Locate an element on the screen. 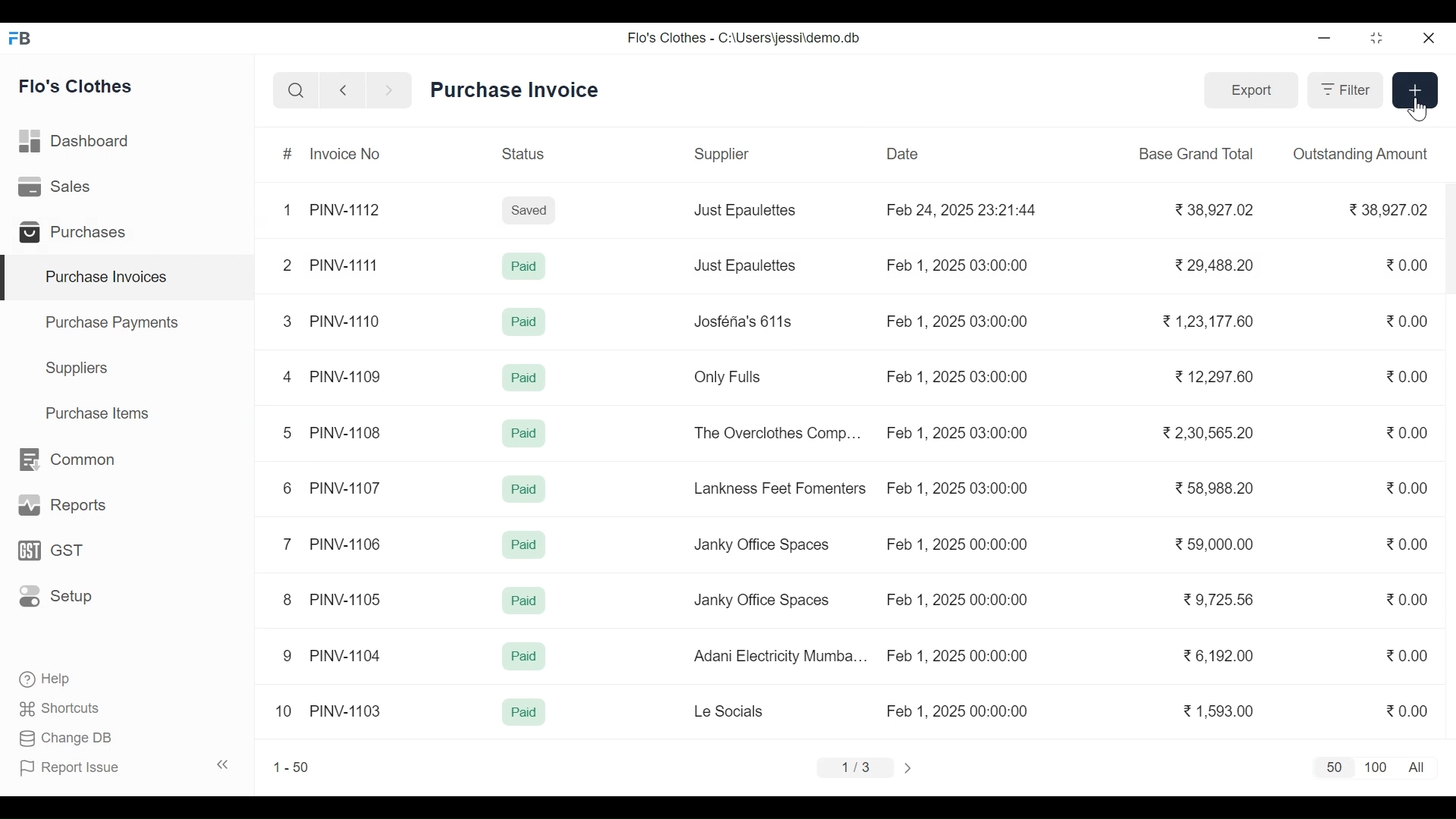  Suppliers is located at coordinates (80, 370).